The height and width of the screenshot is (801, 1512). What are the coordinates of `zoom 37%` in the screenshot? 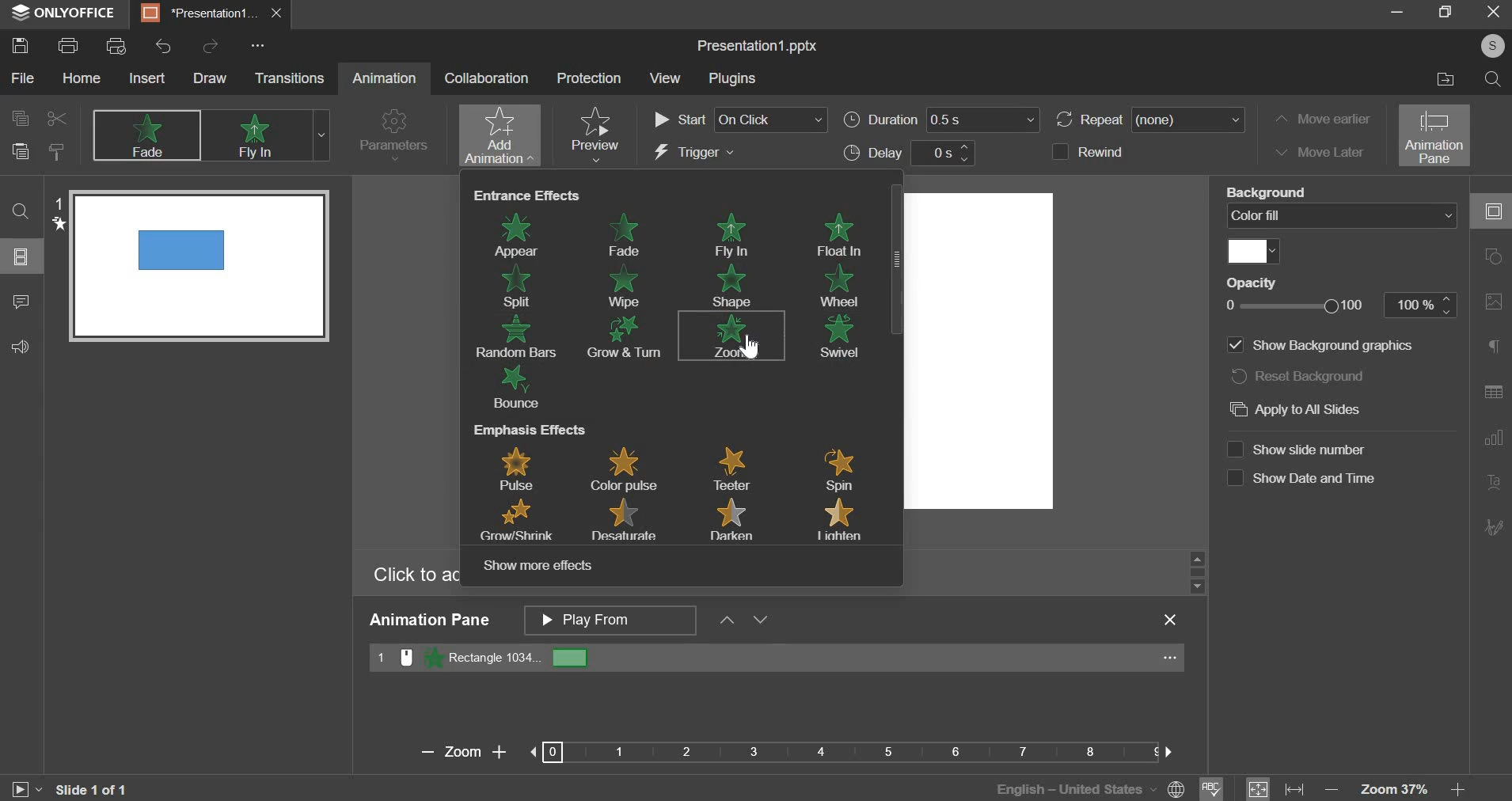 It's located at (1394, 787).